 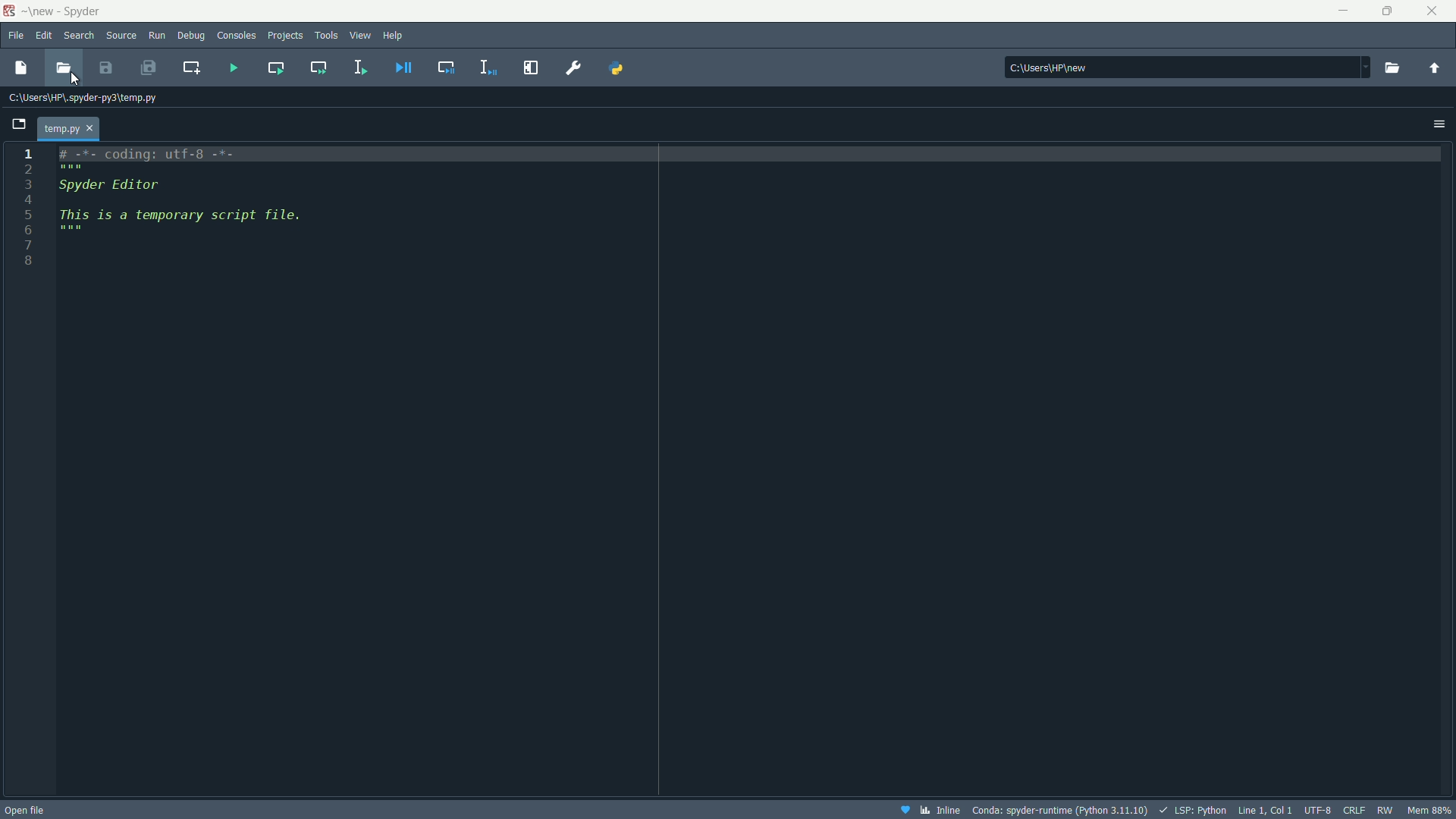 I want to click on PYTHONPATH manager, so click(x=617, y=70).